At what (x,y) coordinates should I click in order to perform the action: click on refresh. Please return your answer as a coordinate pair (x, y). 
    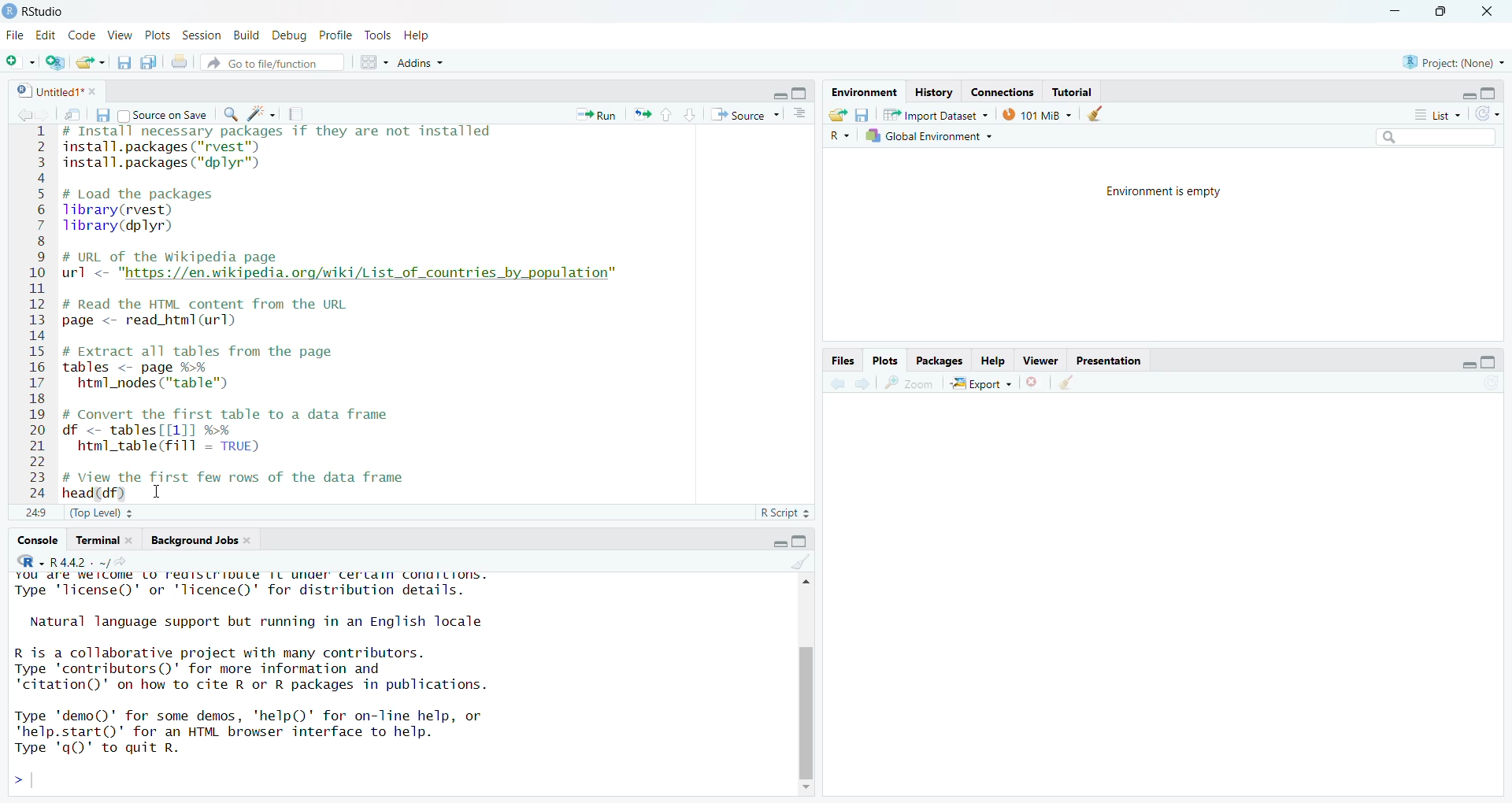
    Looking at the image, I should click on (1490, 382).